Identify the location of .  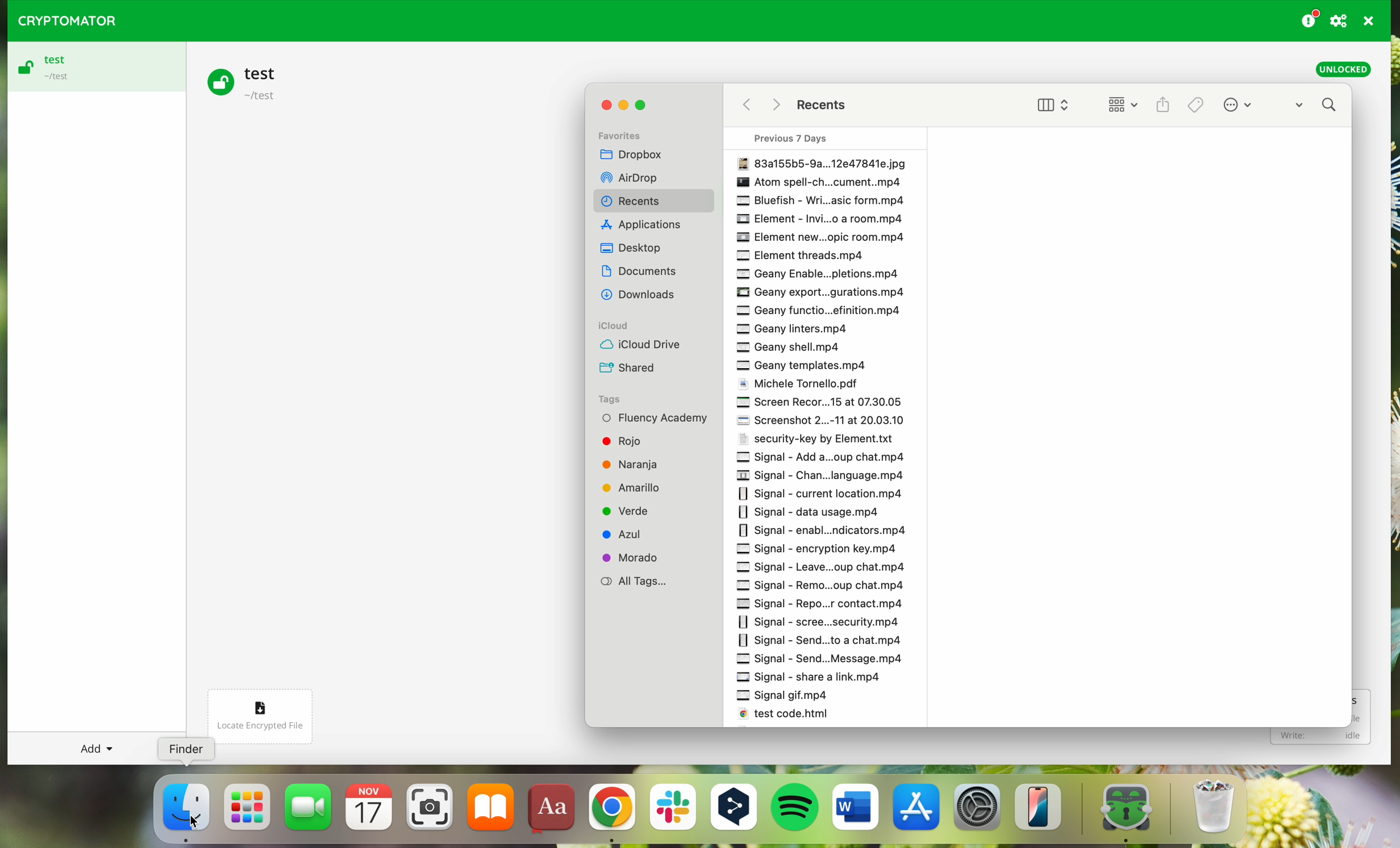
(643, 296).